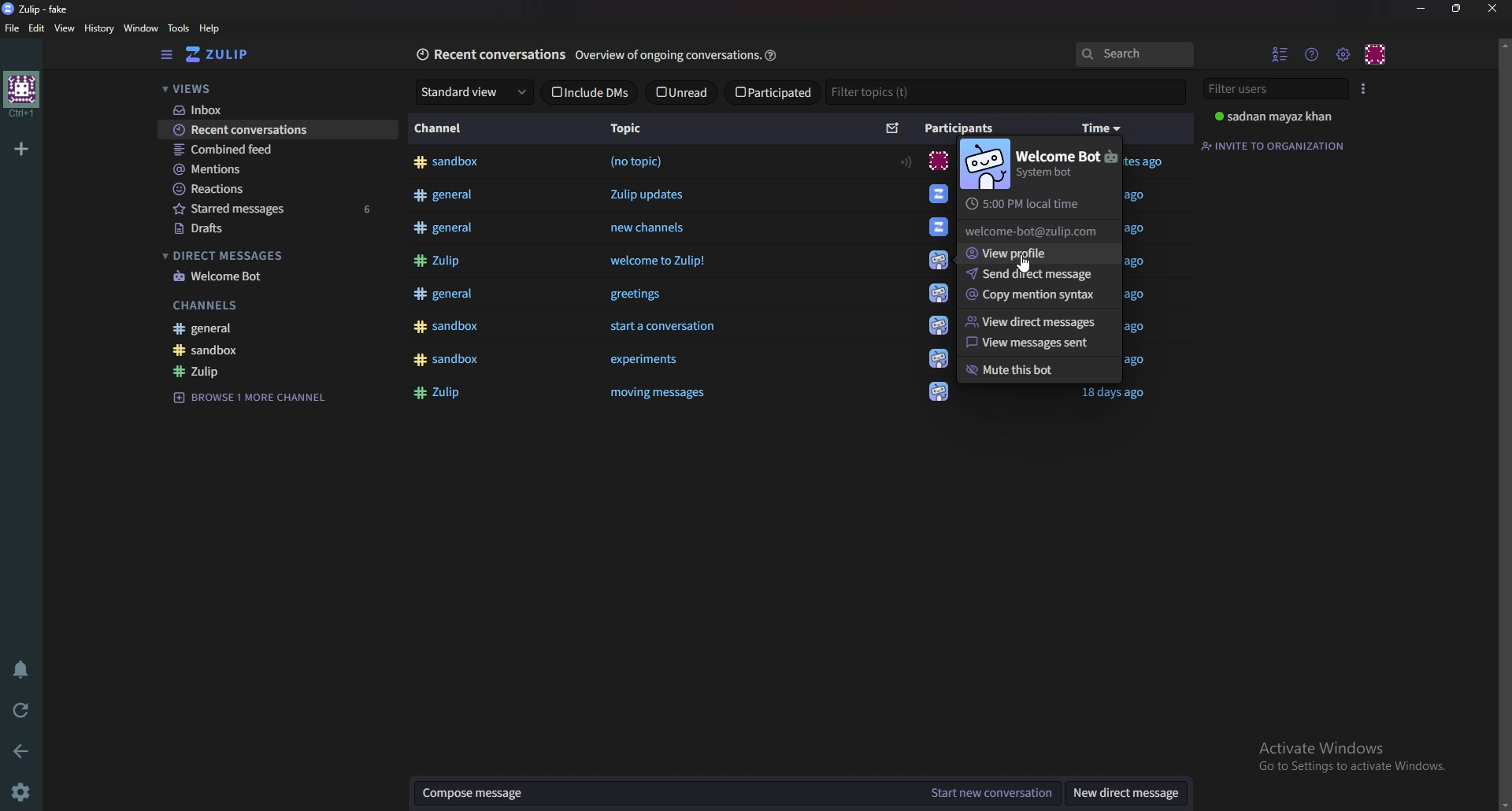 The height and width of the screenshot is (811, 1512). Describe the element at coordinates (446, 196) in the screenshot. I see `#general` at that location.